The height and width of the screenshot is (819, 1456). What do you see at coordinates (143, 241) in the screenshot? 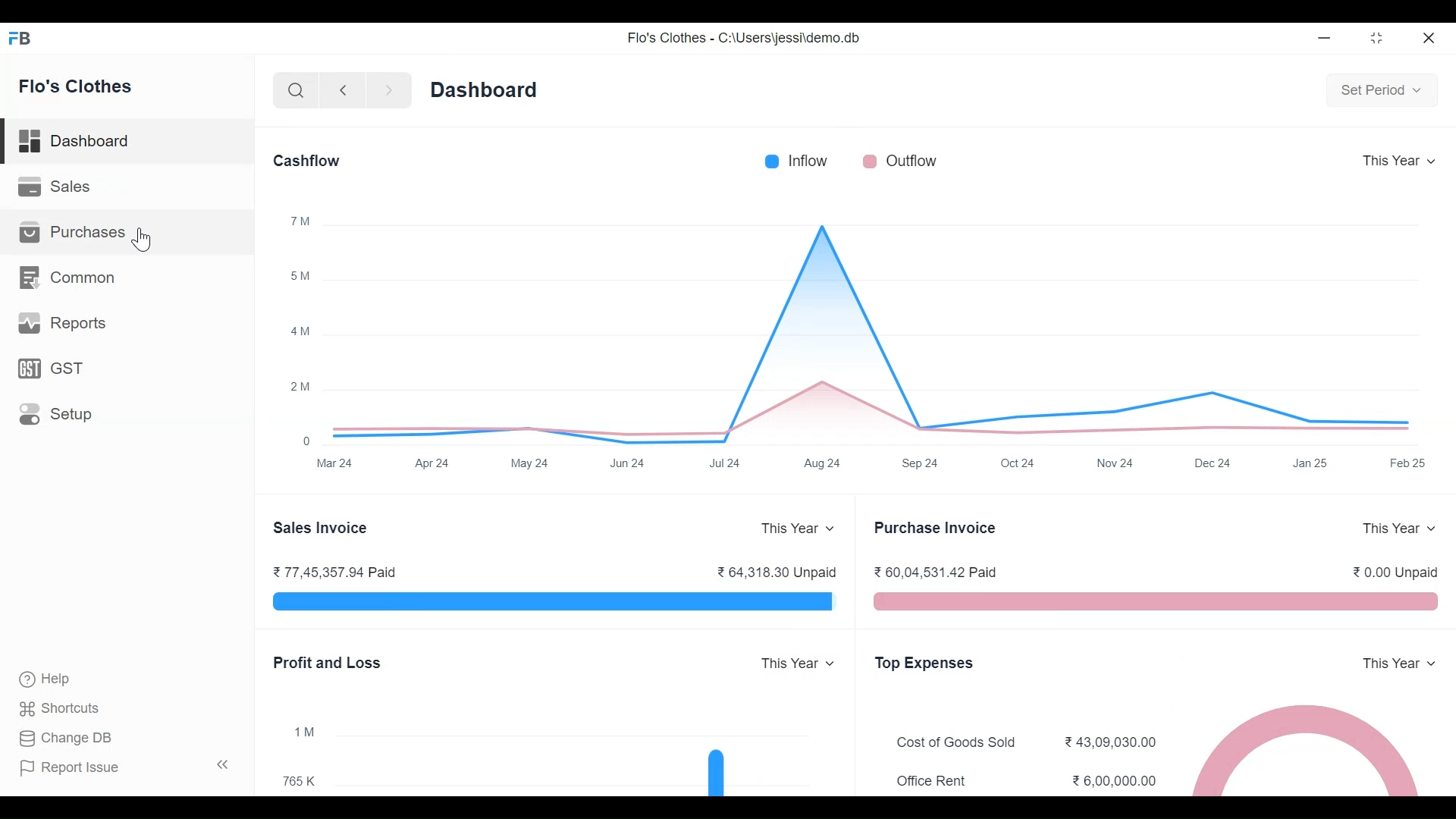
I see `Cursor` at bounding box center [143, 241].